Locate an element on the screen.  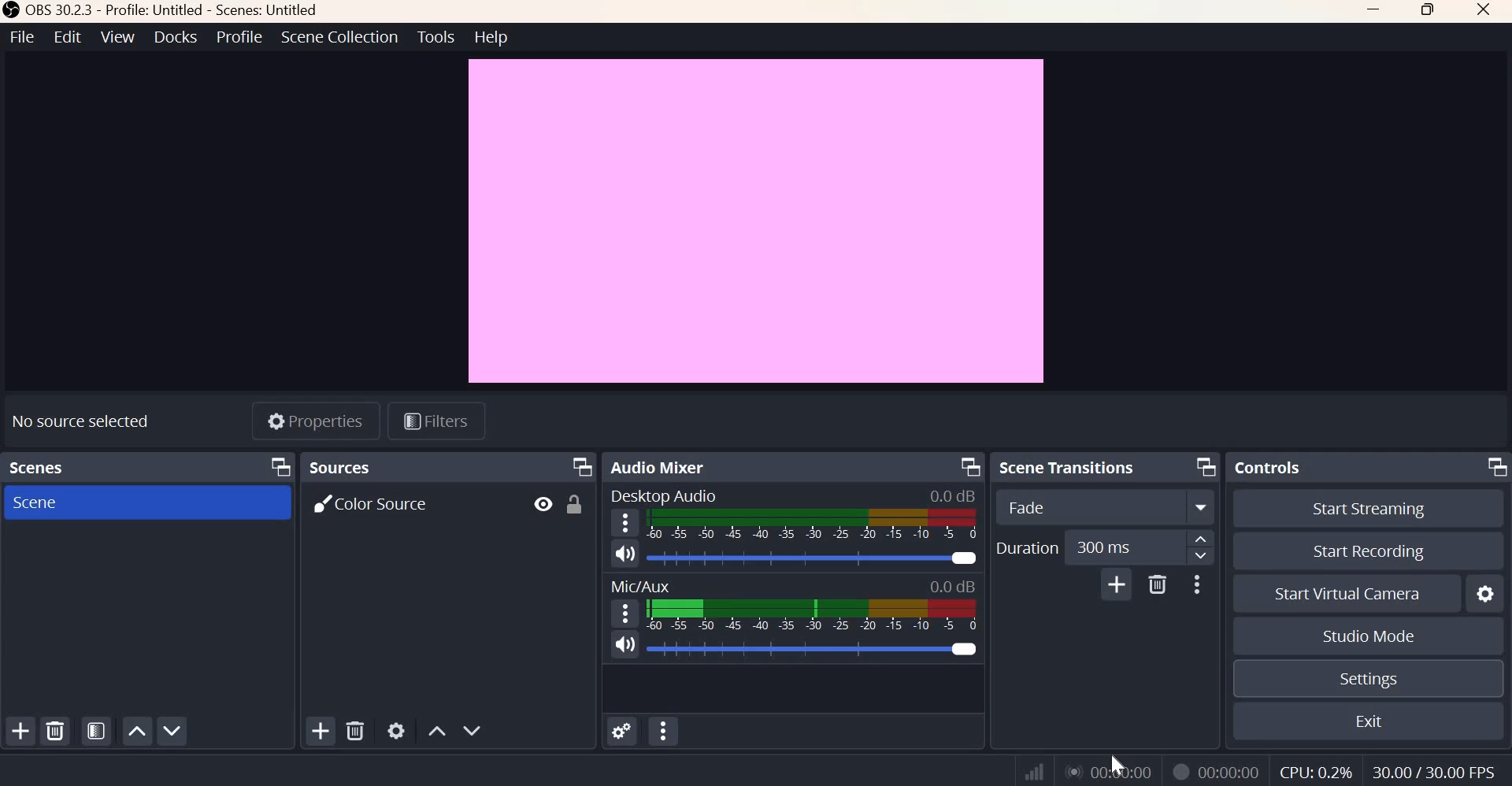
Color source is located at coordinates (376, 503).